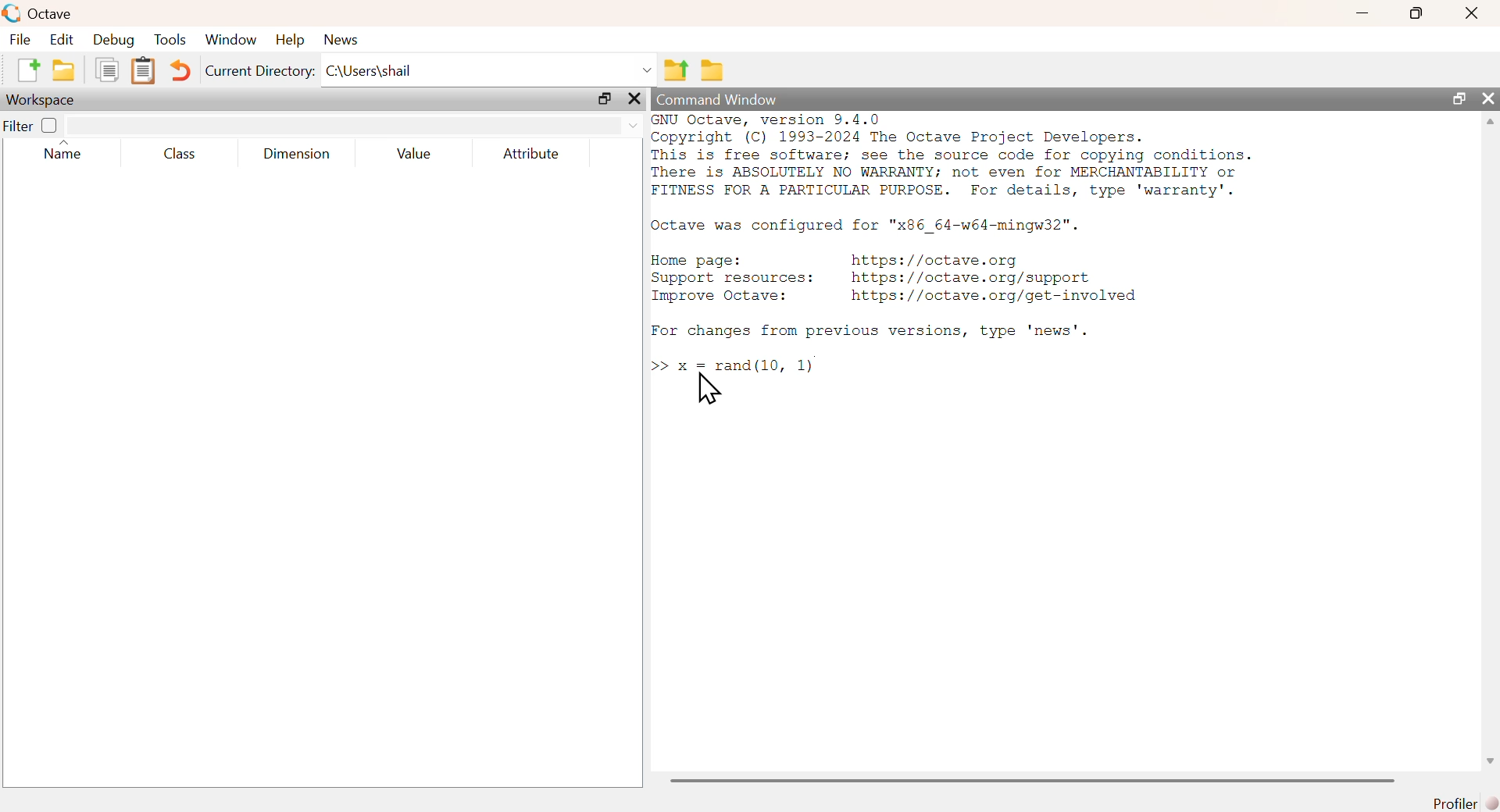 Image resolution: width=1500 pixels, height=812 pixels. What do you see at coordinates (21, 40) in the screenshot?
I see `file` at bounding box center [21, 40].